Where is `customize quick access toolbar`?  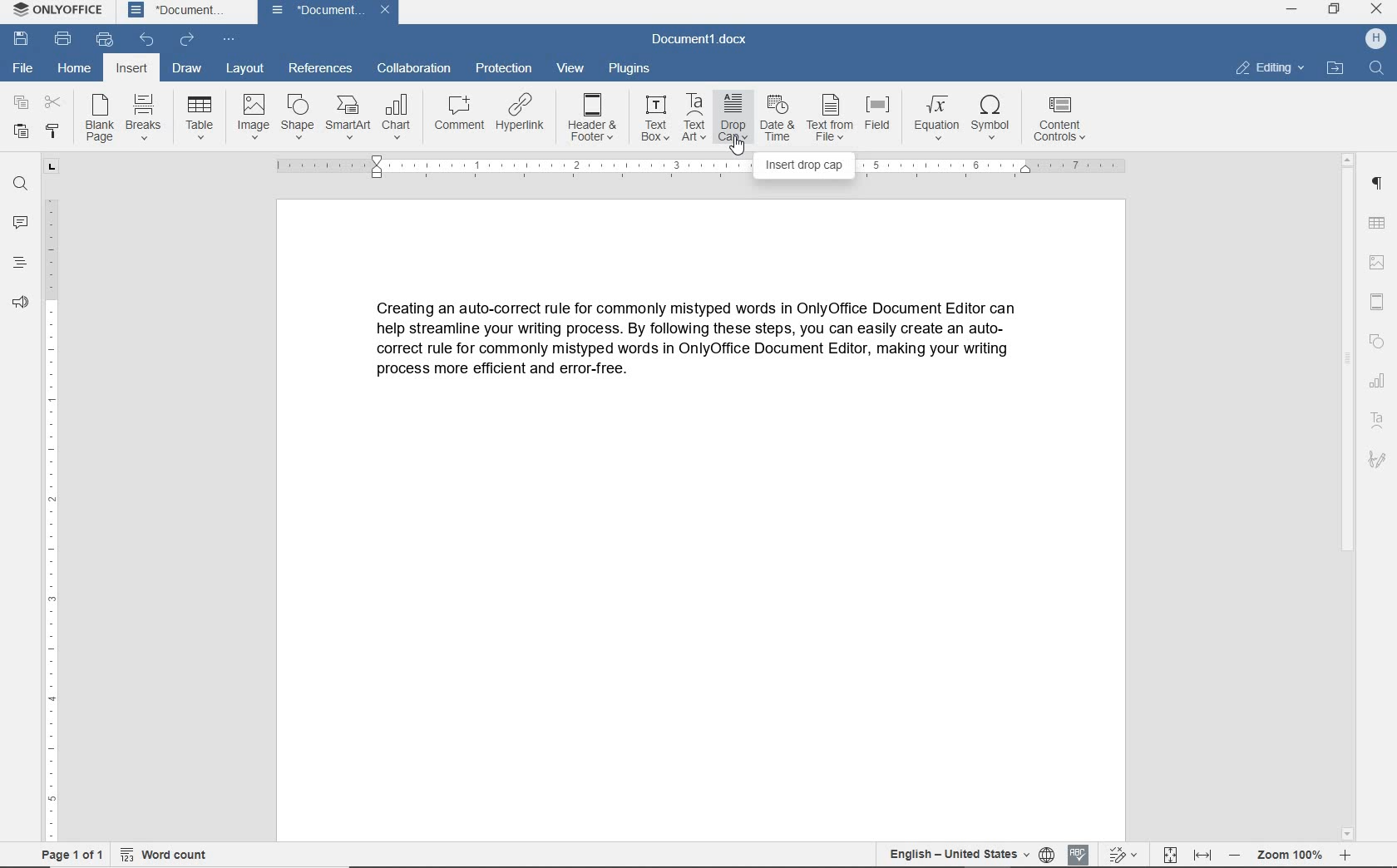
customize quick access toolbar is located at coordinates (228, 38).